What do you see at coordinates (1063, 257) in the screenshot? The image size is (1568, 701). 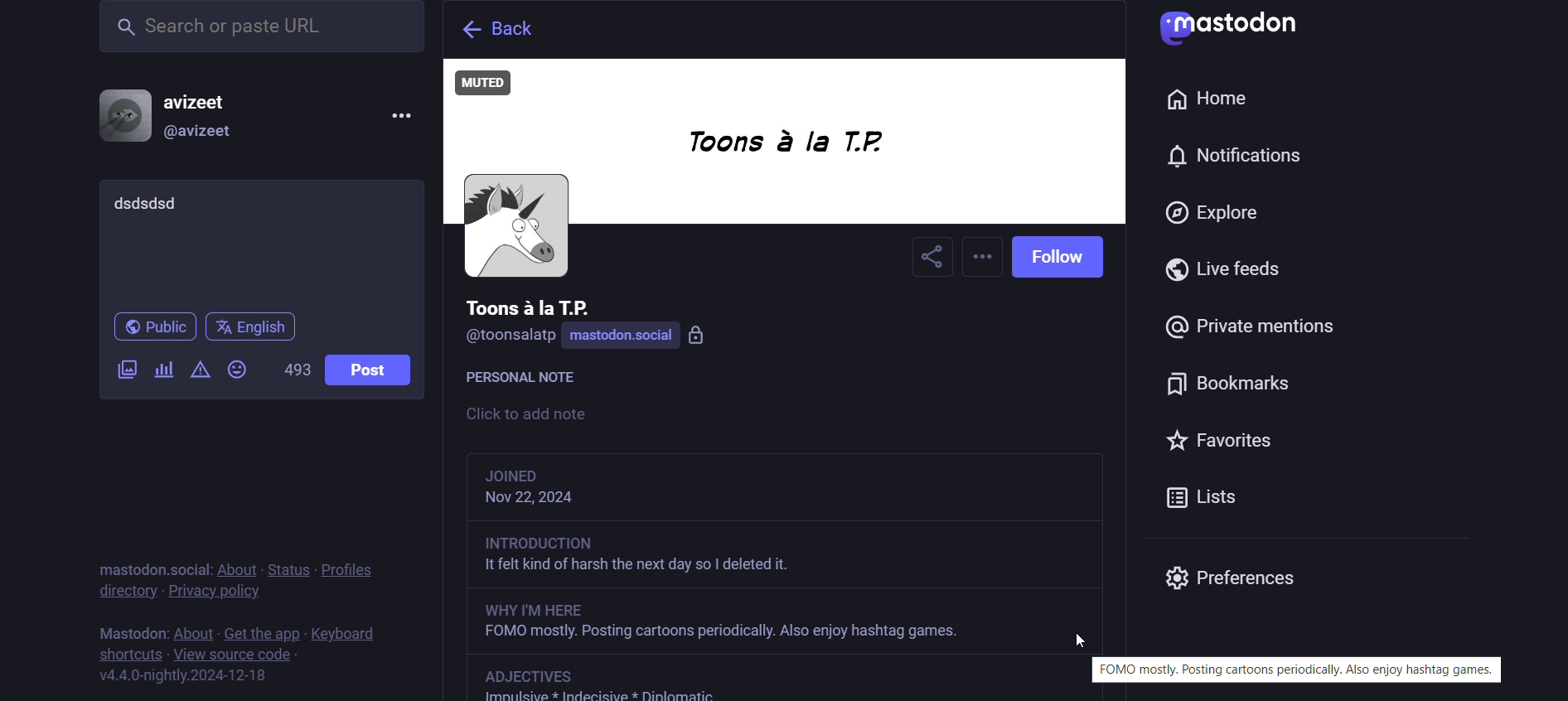 I see `follow` at bounding box center [1063, 257].